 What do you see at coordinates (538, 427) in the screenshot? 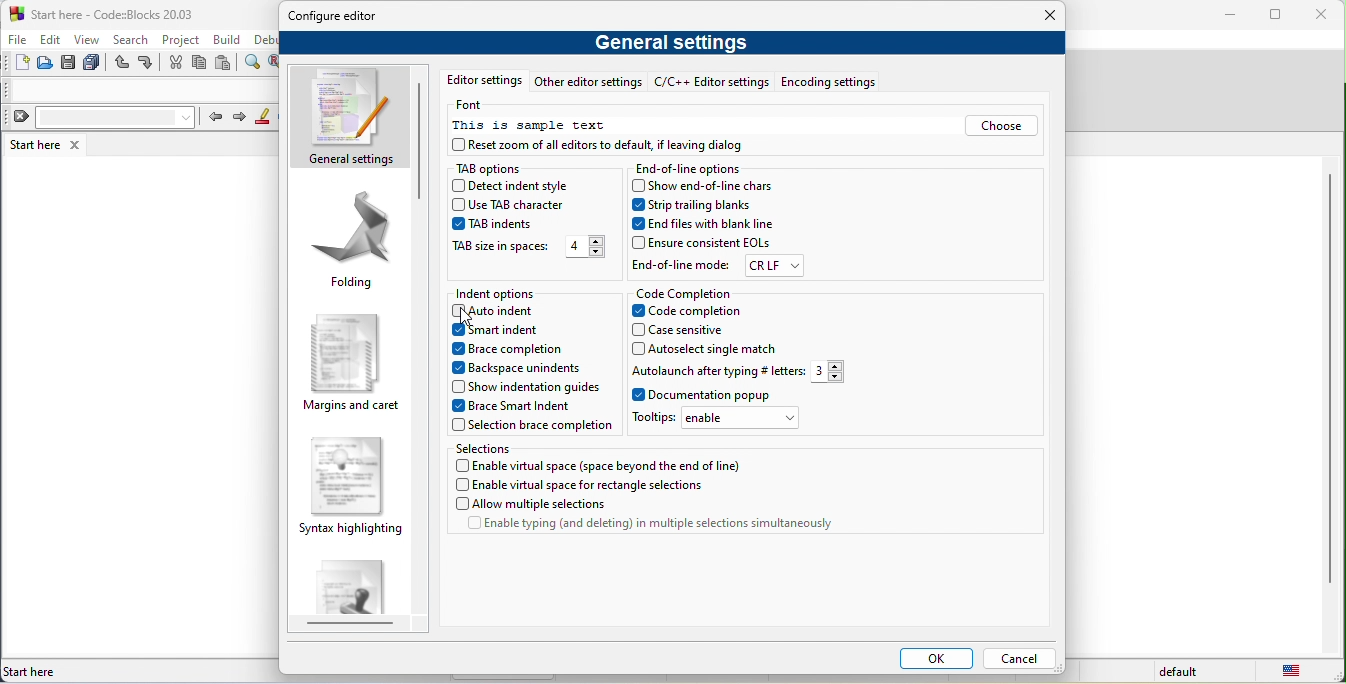
I see `selection brace completion` at bounding box center [538, 427].